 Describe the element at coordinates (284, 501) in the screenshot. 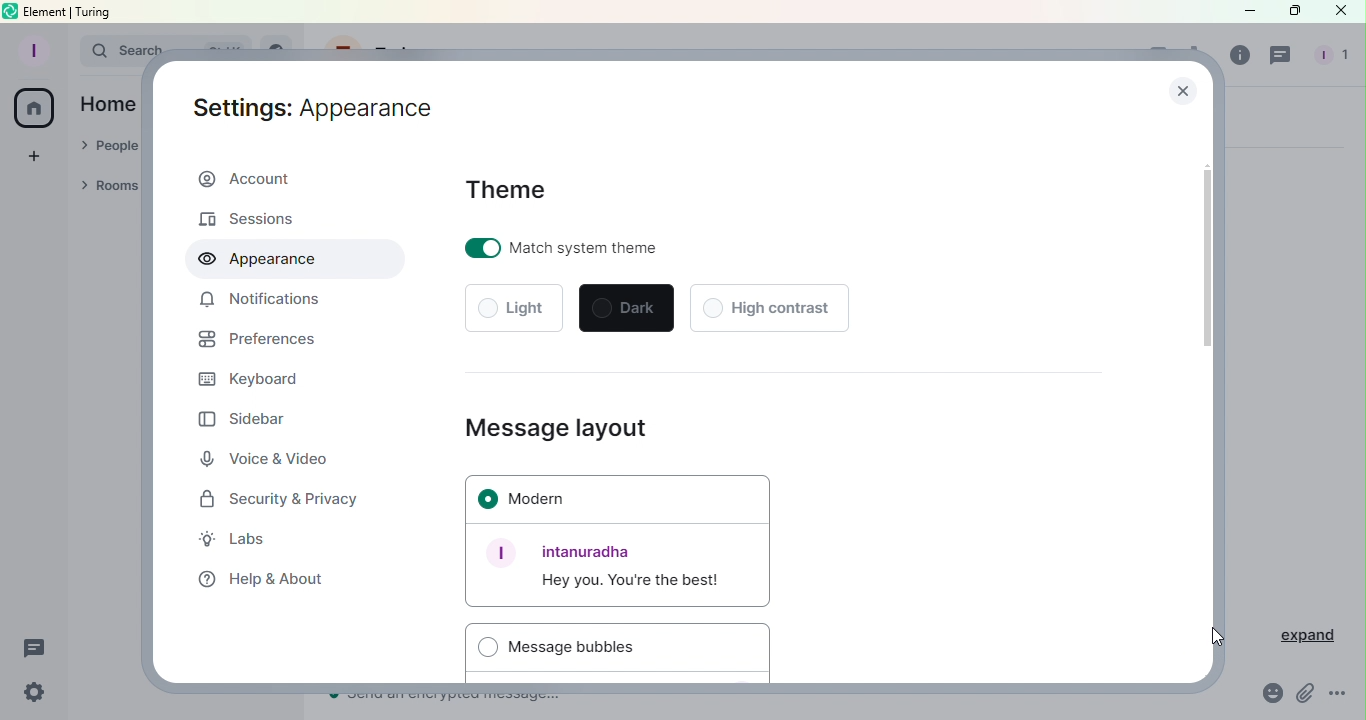

I see `Security and privacy` at that location.